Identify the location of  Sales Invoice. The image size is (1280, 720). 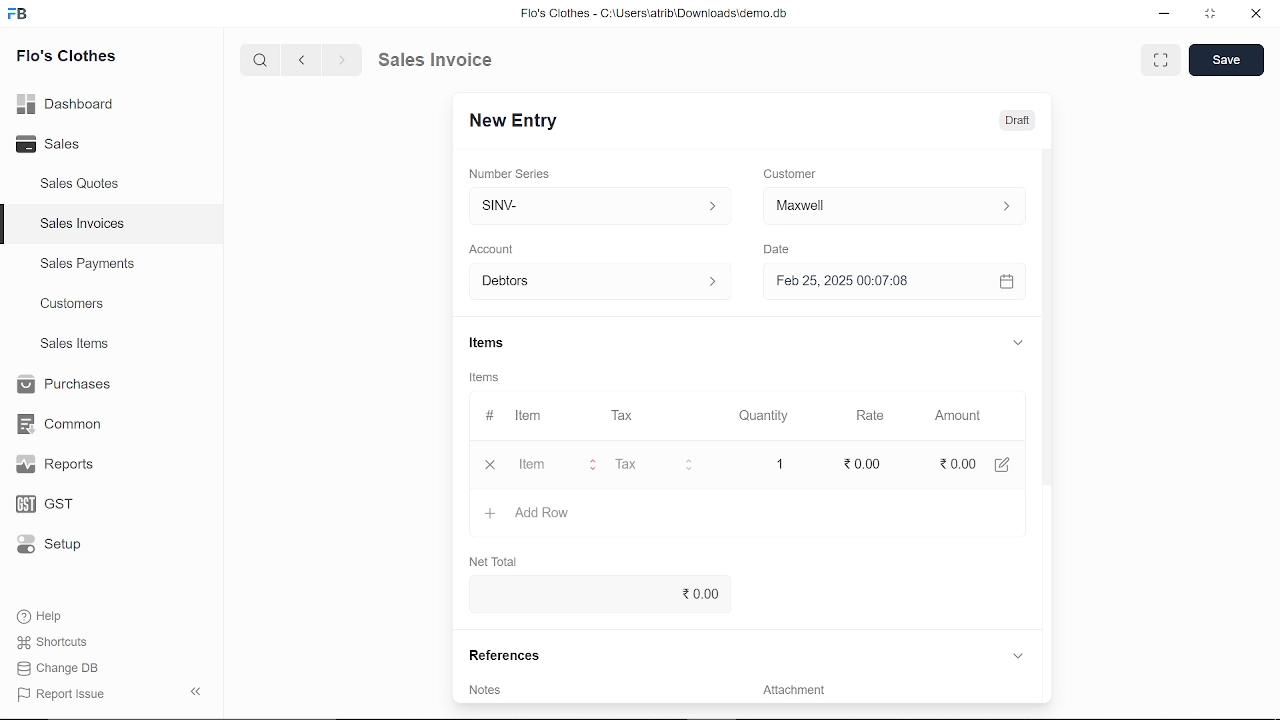
(446, 61).